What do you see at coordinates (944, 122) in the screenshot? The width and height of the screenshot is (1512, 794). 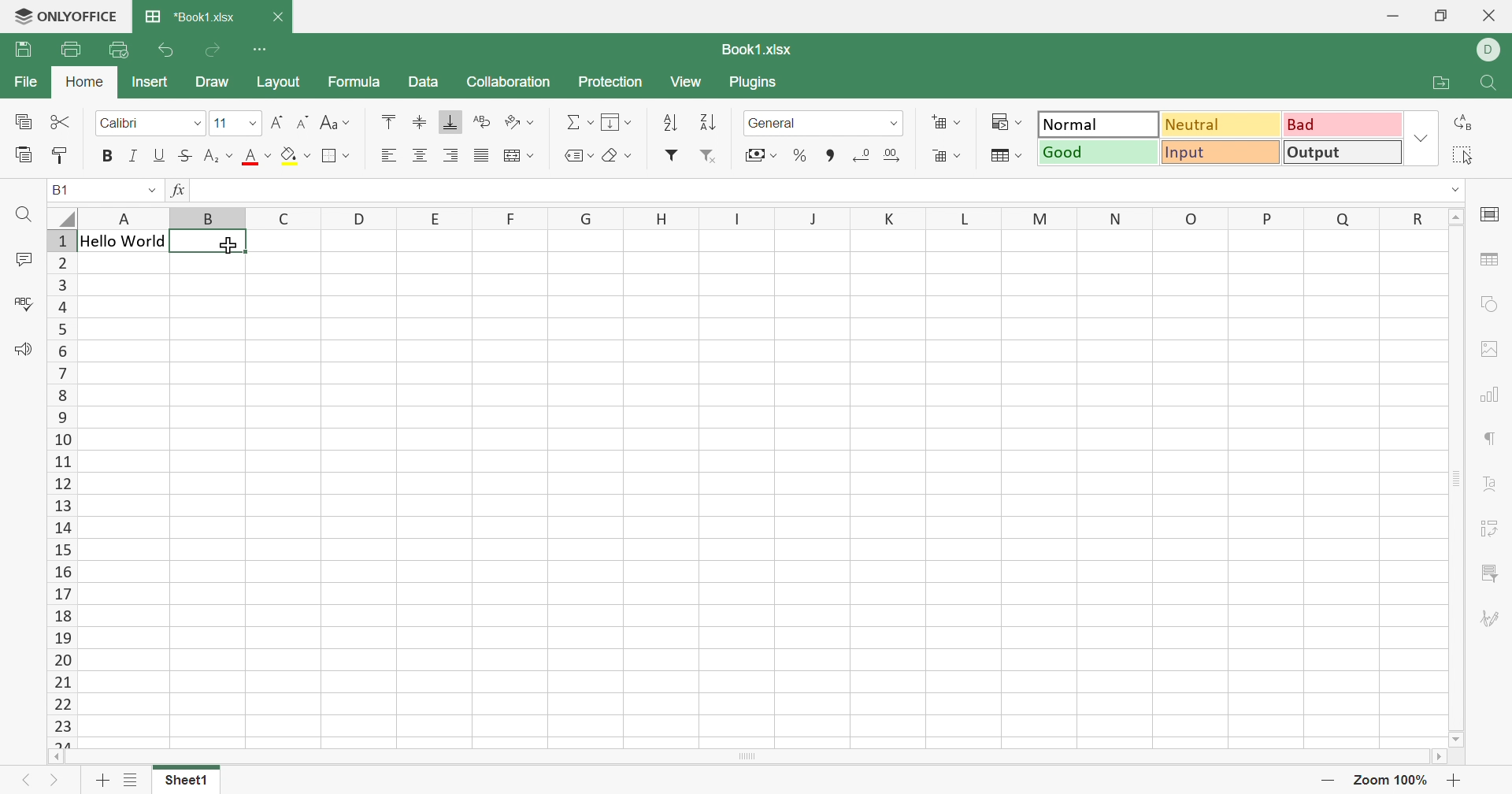 I see `Increase cells` at bounding box center [944, 122].